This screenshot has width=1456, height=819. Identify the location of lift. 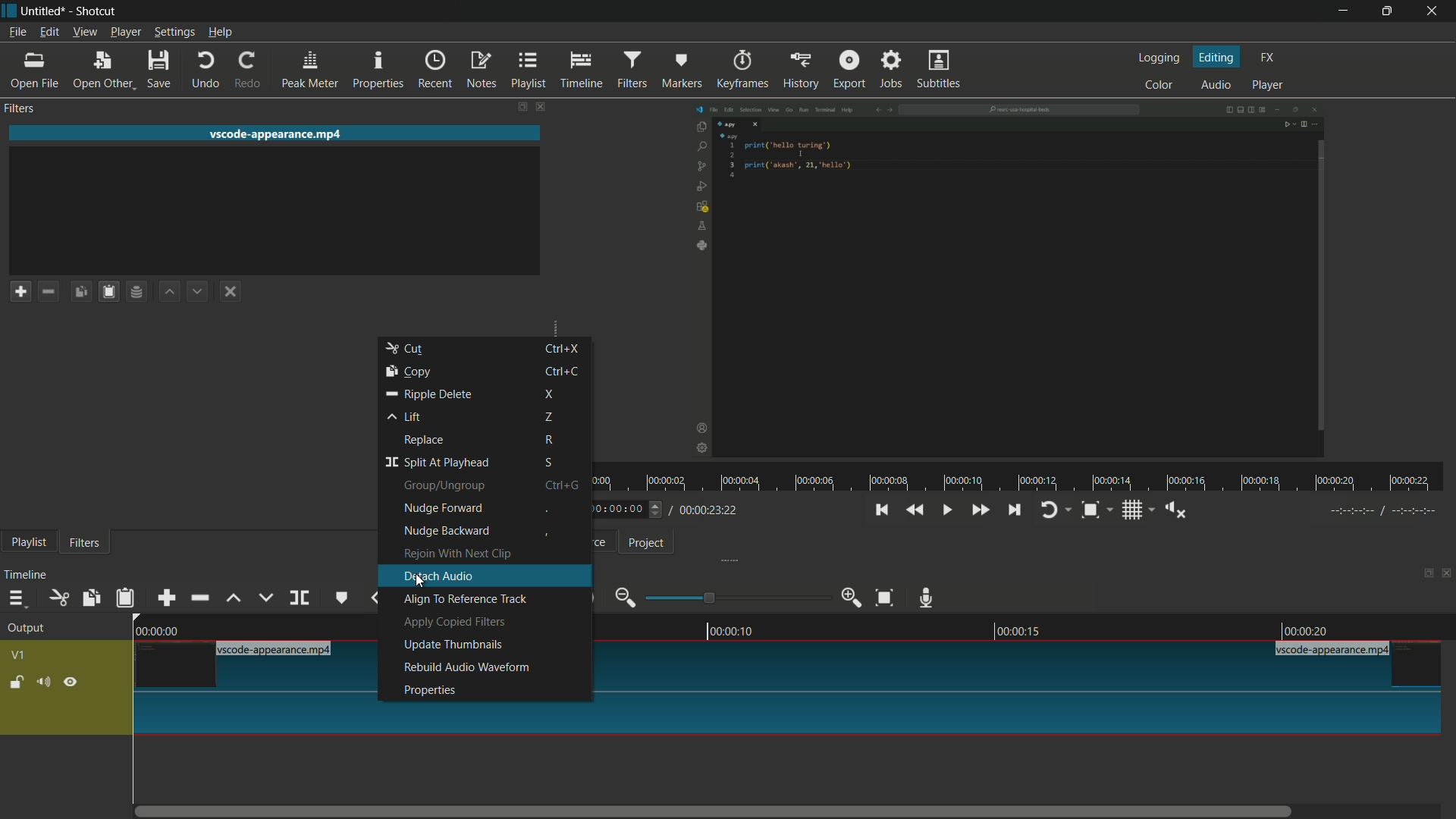
(231, 598).